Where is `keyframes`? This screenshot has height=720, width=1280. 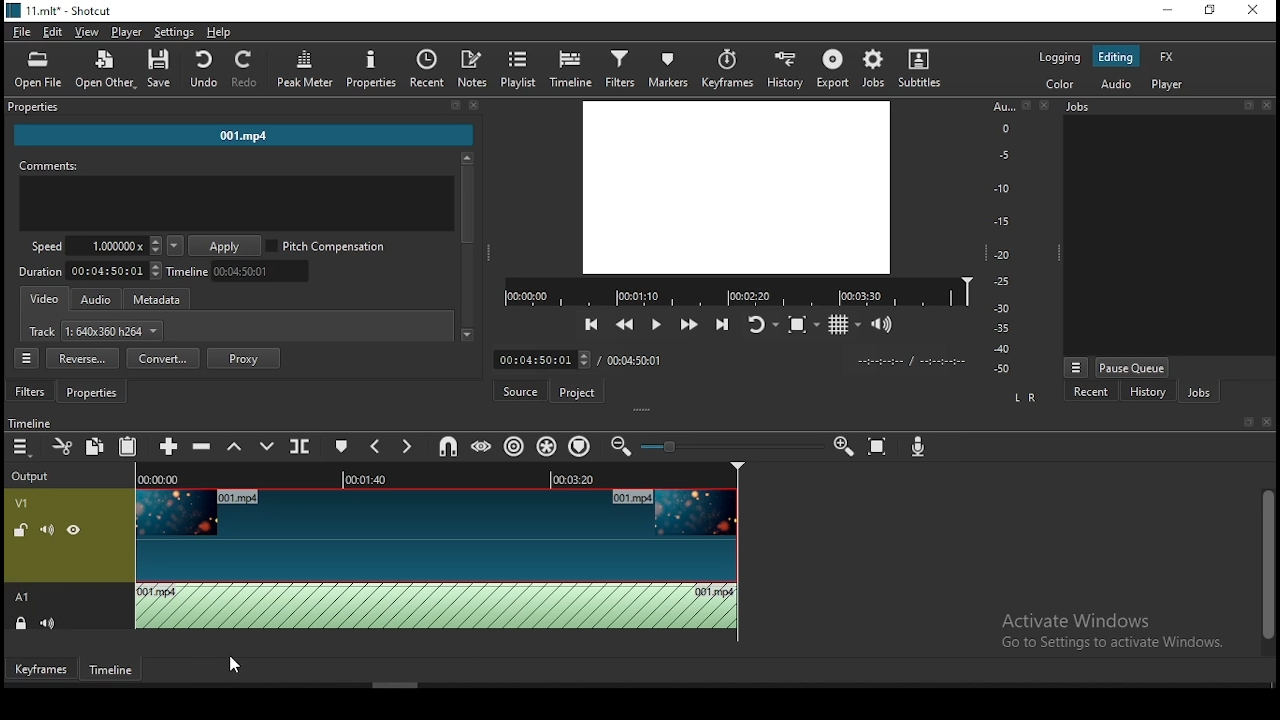
keyframes is located at coordinates (41, 670).